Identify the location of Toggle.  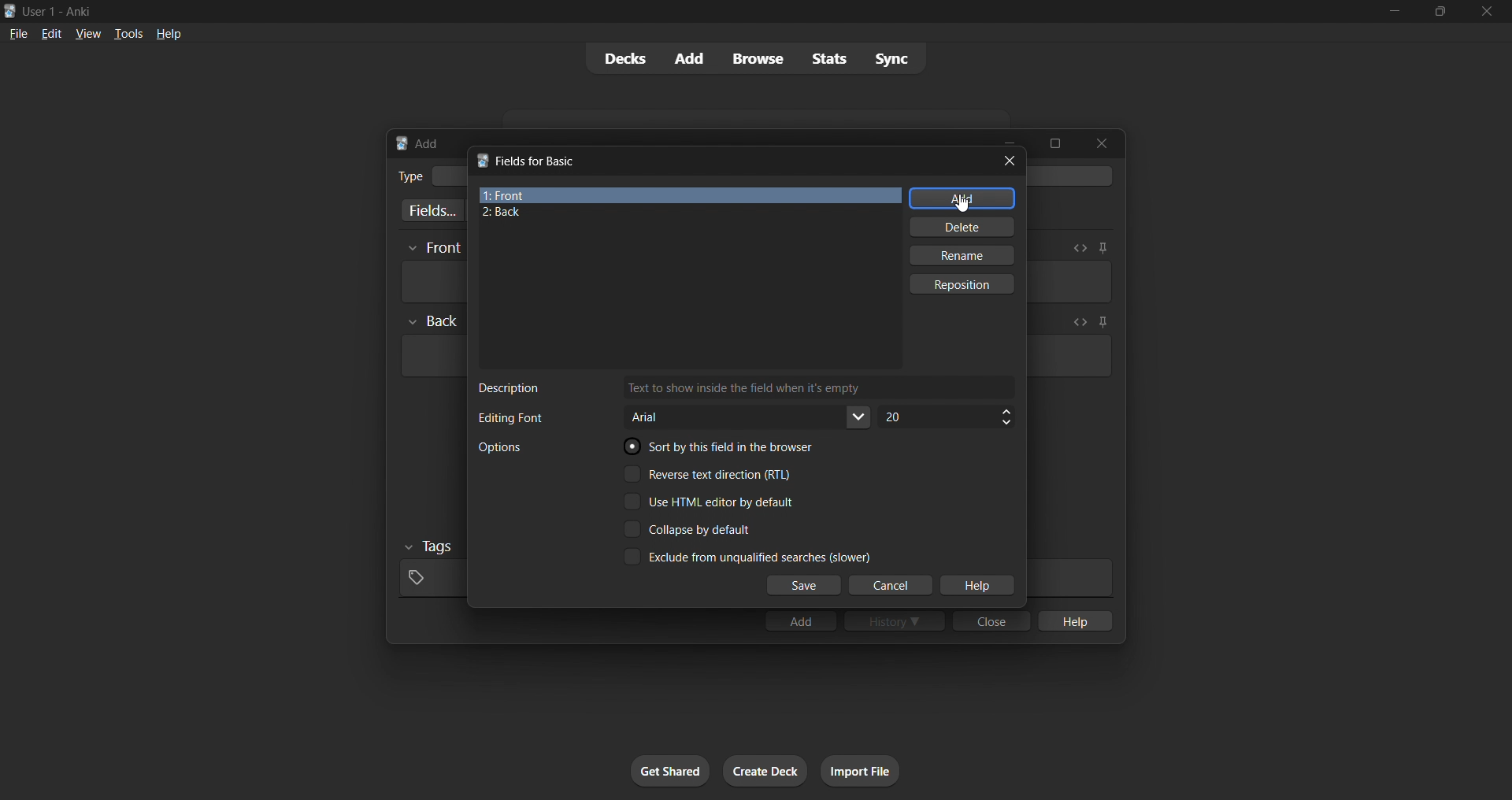
(724, 446).